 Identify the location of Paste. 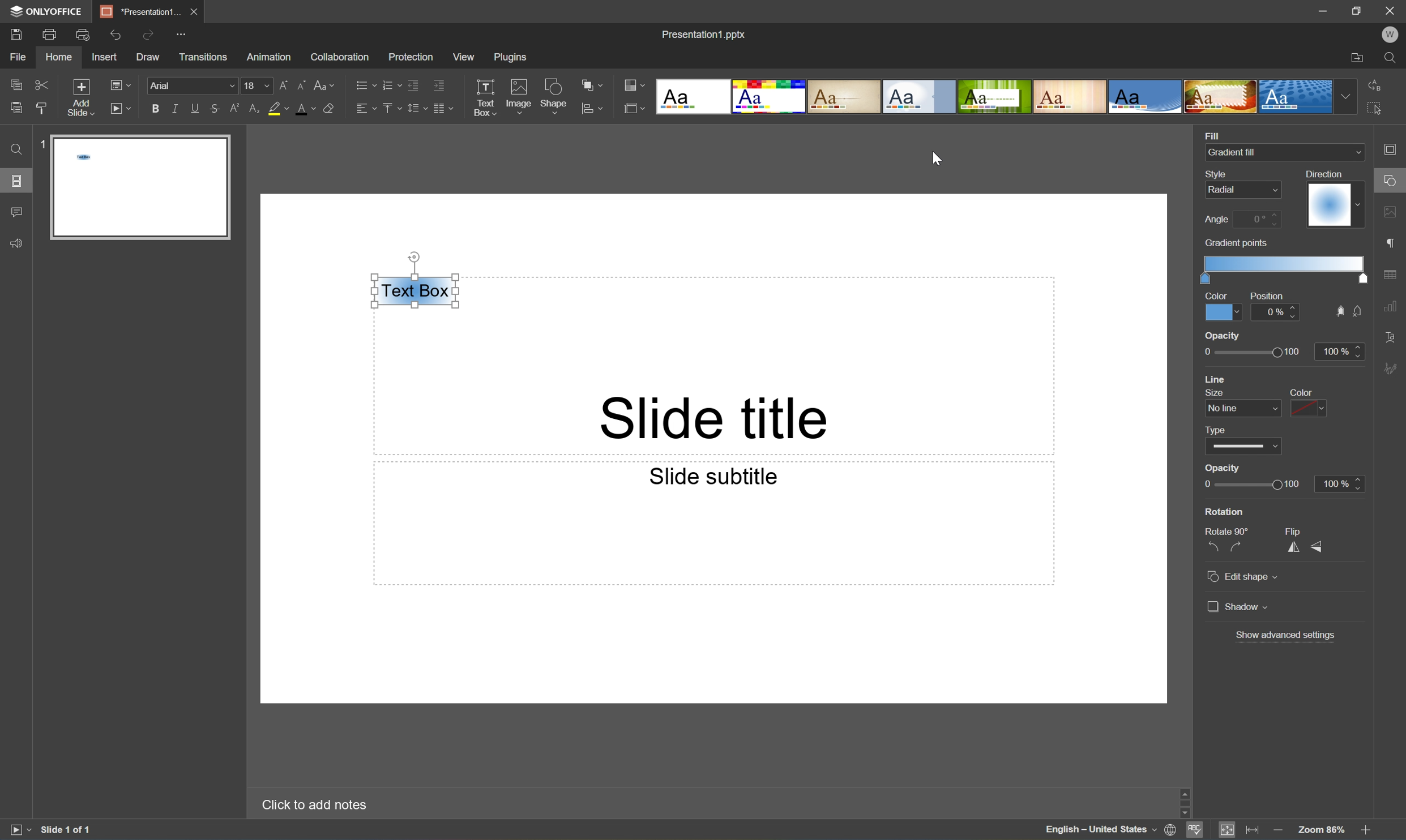
(13, 108).